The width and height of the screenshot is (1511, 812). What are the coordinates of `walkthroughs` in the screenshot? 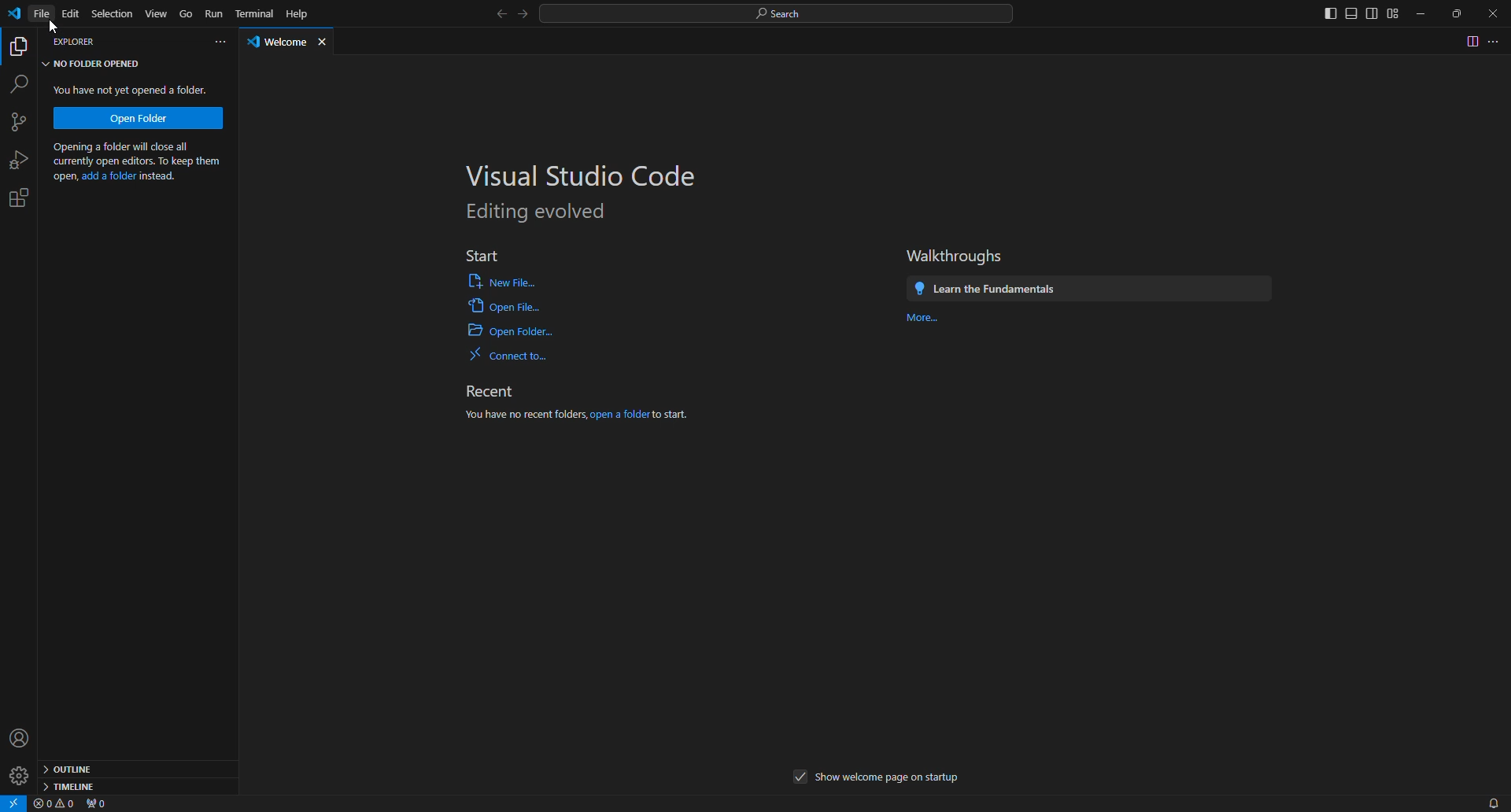 It's located at (956, 256).